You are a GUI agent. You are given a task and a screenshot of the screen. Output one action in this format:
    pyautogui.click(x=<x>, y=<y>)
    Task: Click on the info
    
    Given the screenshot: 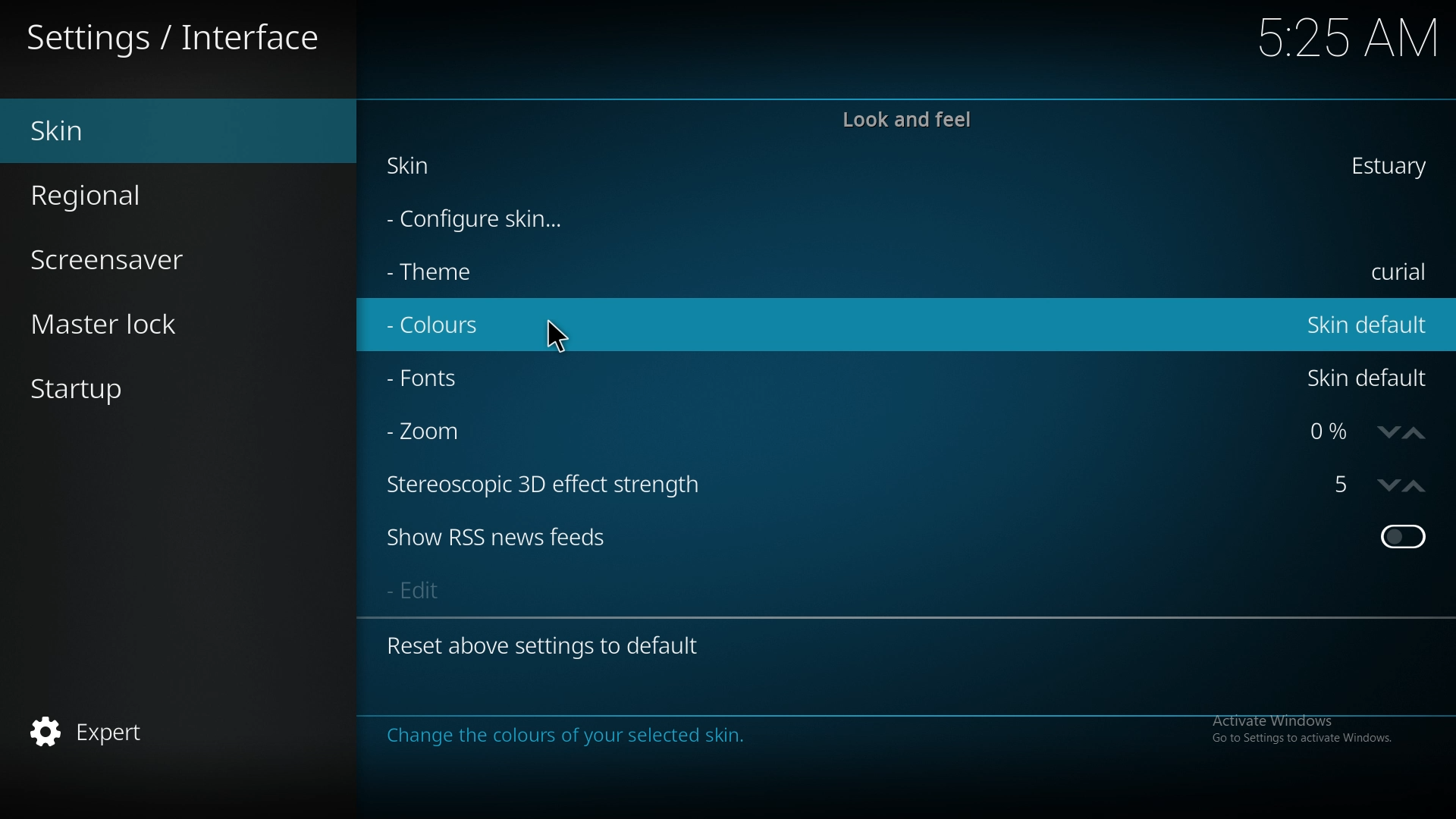 What is the action you would take?
    pyautogui.click(x=624, y=732)
    